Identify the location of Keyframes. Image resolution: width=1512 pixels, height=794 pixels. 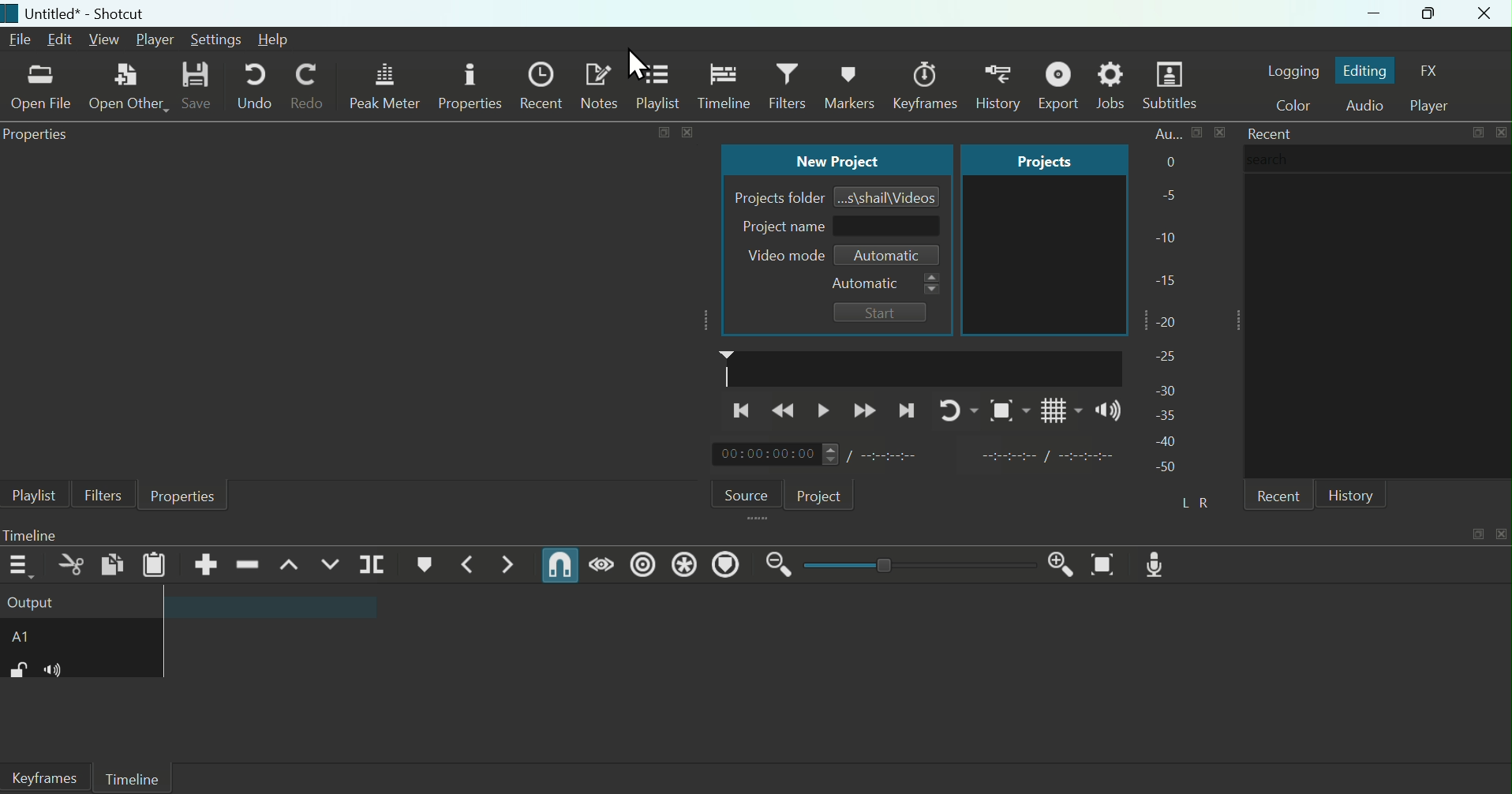
(997, 83).